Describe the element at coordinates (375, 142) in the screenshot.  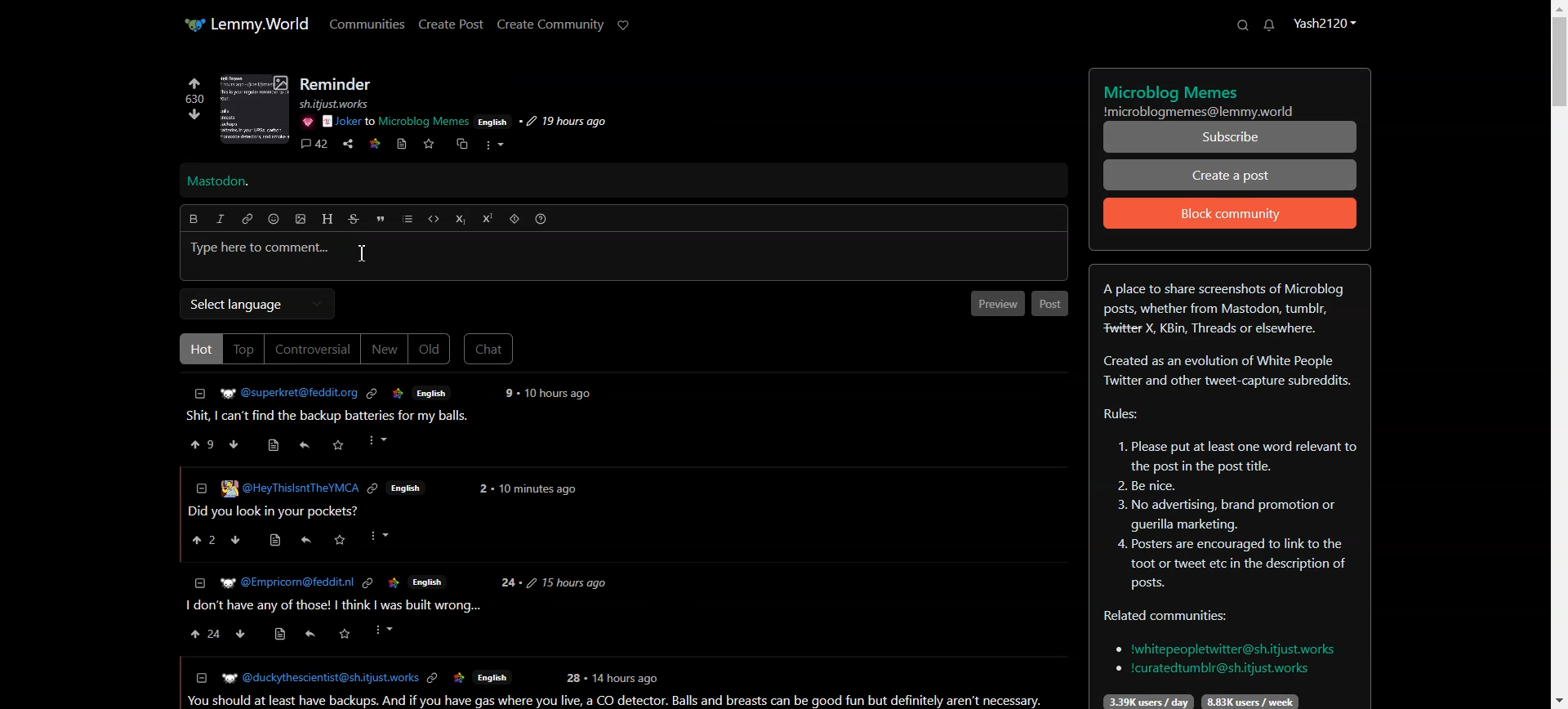
I see `Link` at that location.